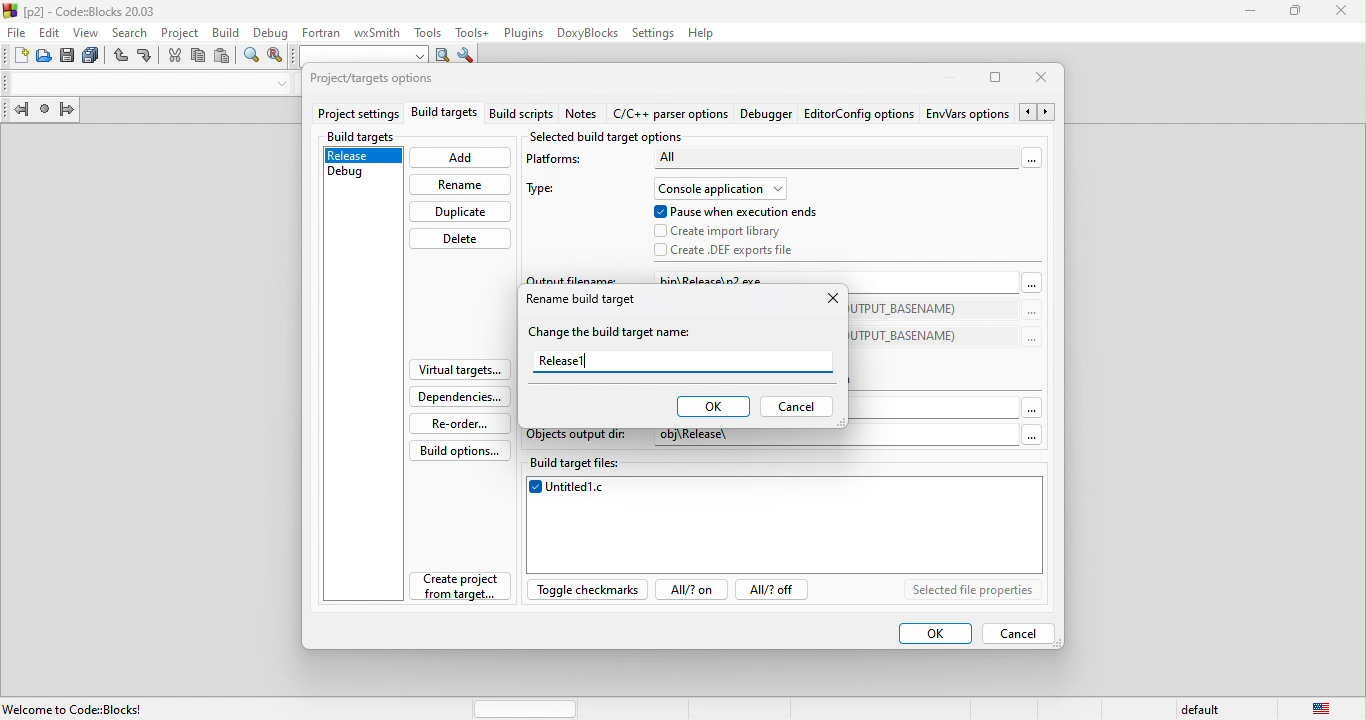  Describe the element at coordinates (461, 158) in the screenshot. I see `add` at that location.